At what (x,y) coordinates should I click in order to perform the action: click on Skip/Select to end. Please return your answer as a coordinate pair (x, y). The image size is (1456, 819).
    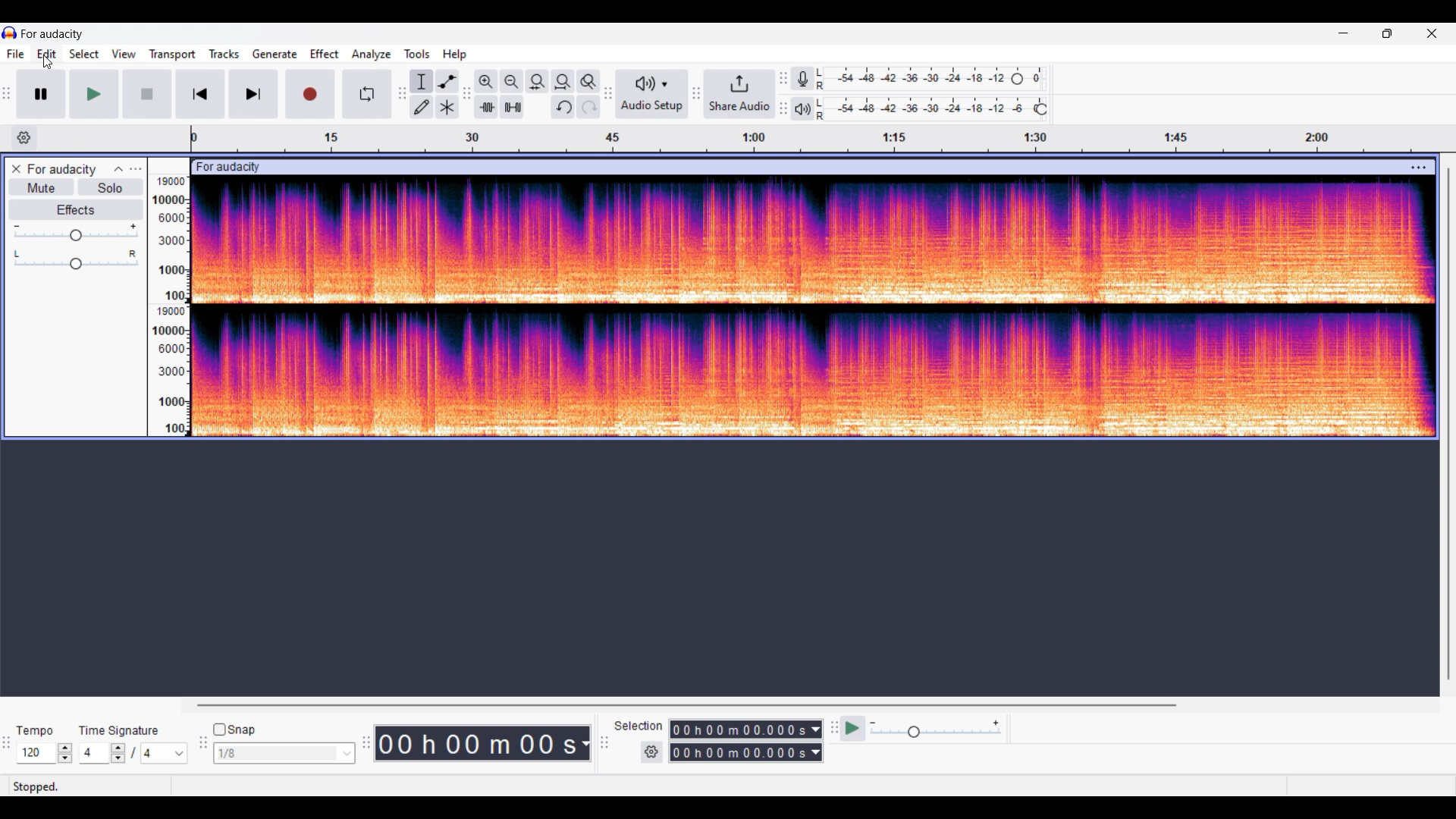
    Looking at the image, I should click on (253, 94).